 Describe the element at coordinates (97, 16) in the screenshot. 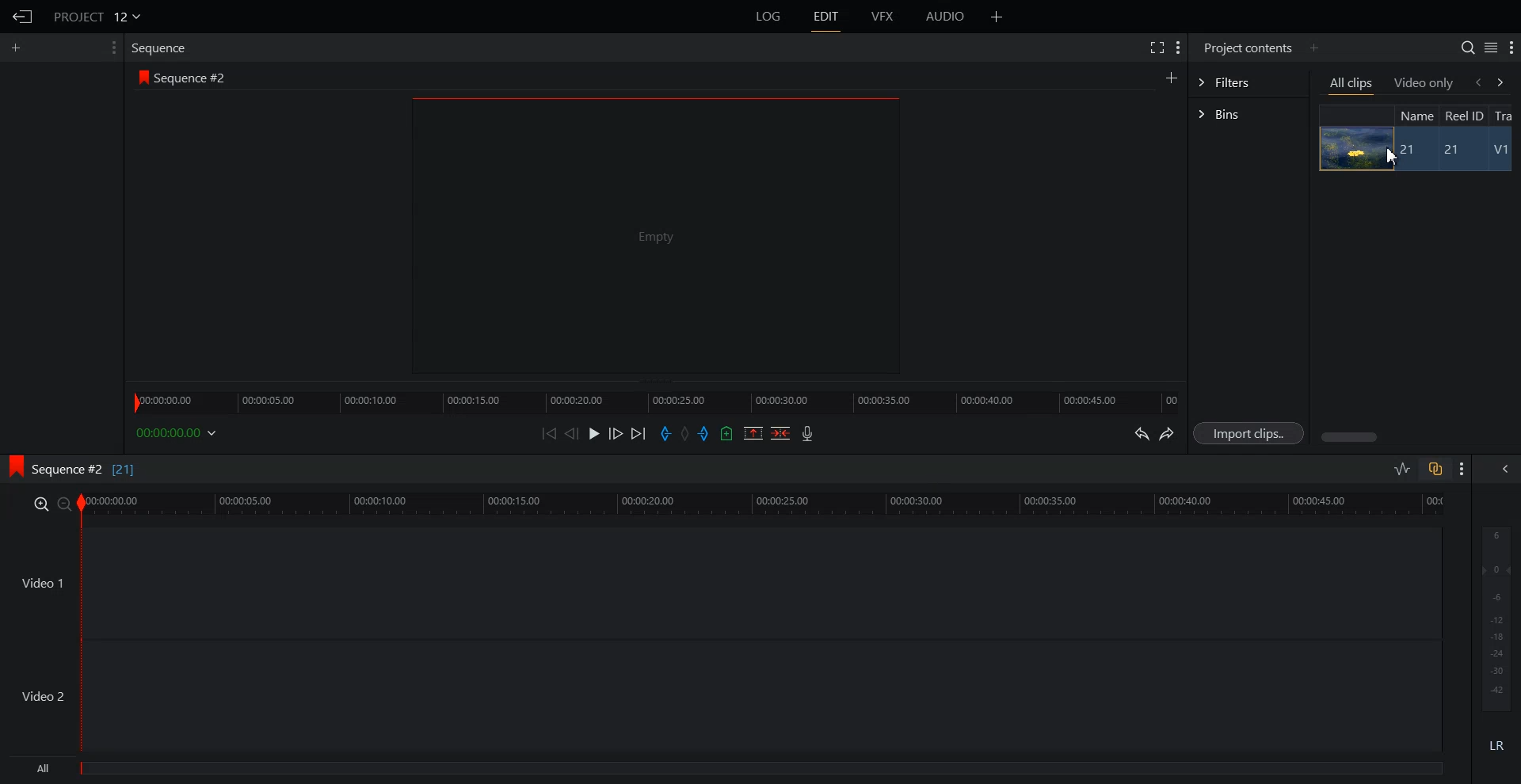

I see `PROJECT 12` at that location.